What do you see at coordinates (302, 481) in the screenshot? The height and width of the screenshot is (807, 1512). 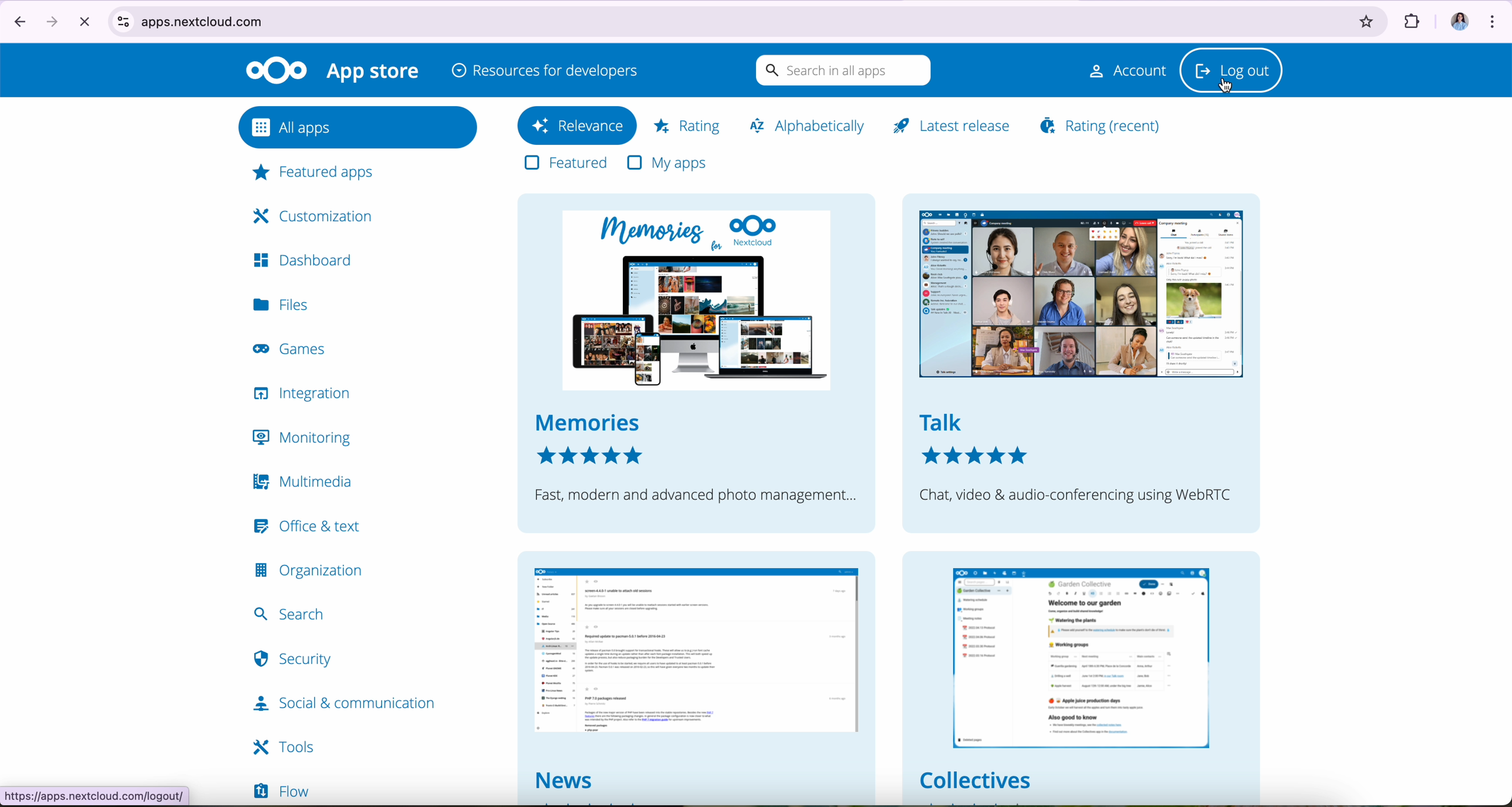 I see `multimedia` at bounding box center [302, 481].